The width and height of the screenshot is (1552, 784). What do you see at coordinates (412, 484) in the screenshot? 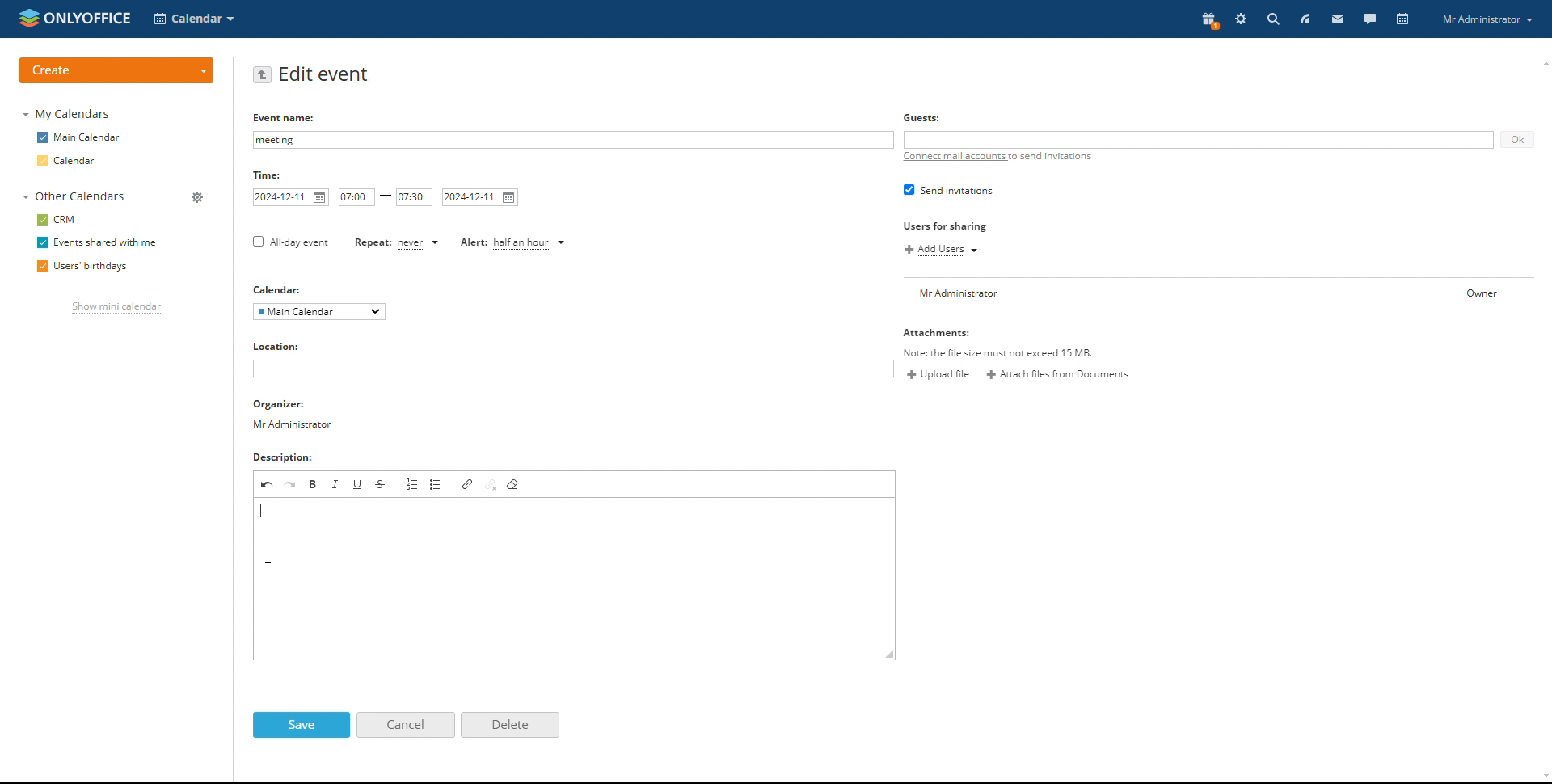
I see `insert/remove numbered list` at bounding box center [412, 484].